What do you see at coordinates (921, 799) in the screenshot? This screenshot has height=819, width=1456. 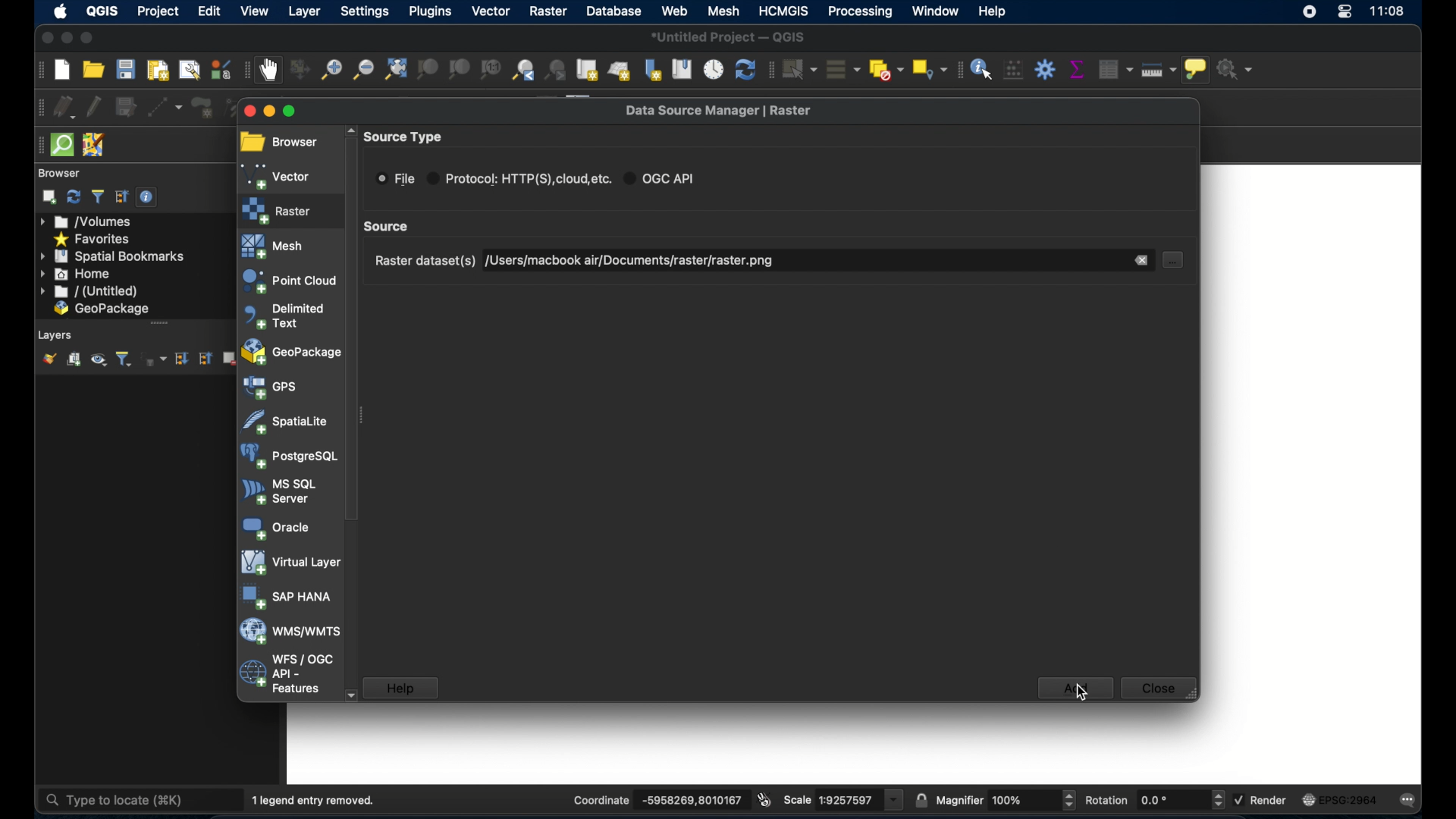 I see `lock scale` at bounding box center [921, 799].